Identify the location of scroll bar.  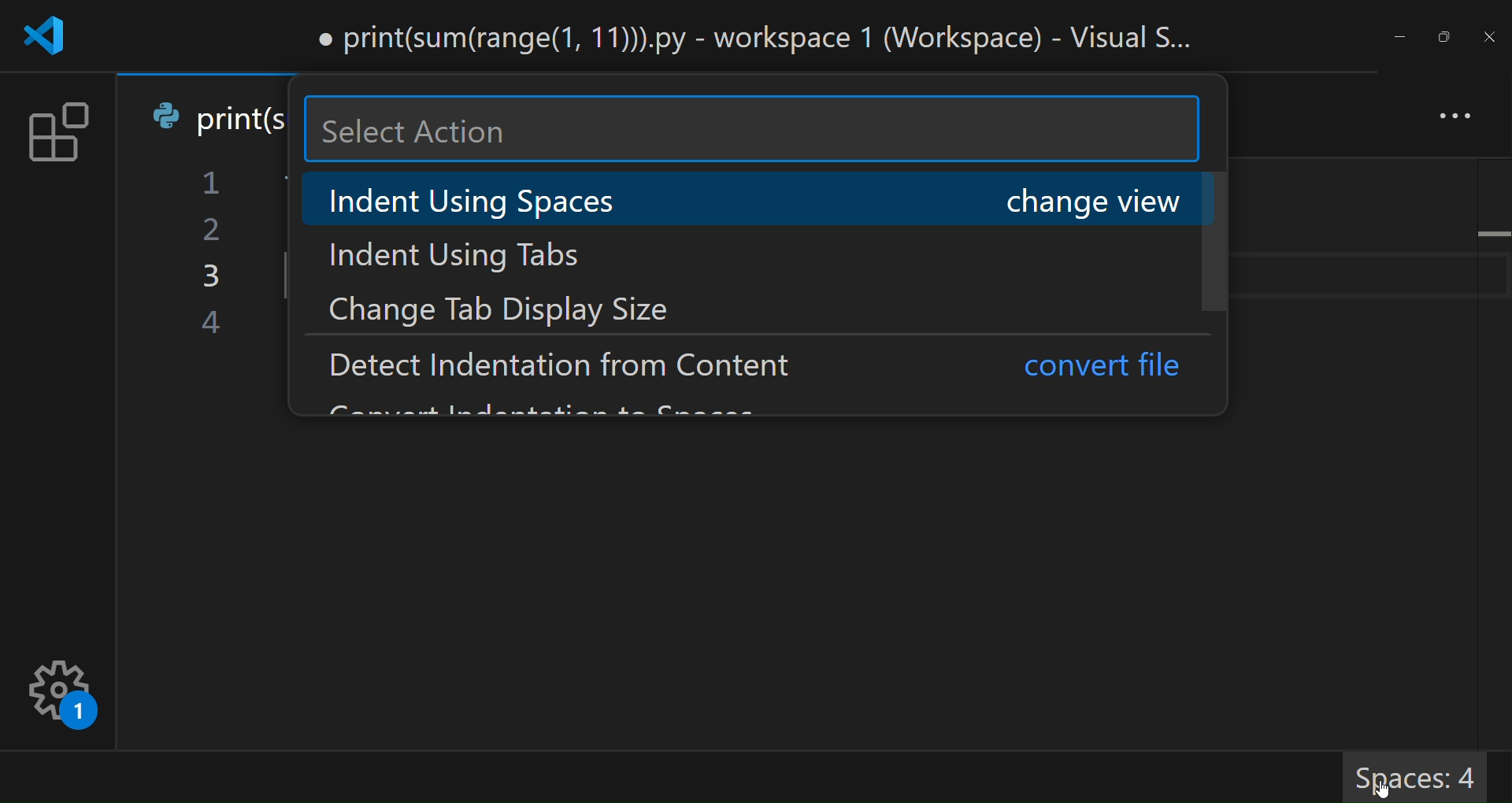
(1219, 242).